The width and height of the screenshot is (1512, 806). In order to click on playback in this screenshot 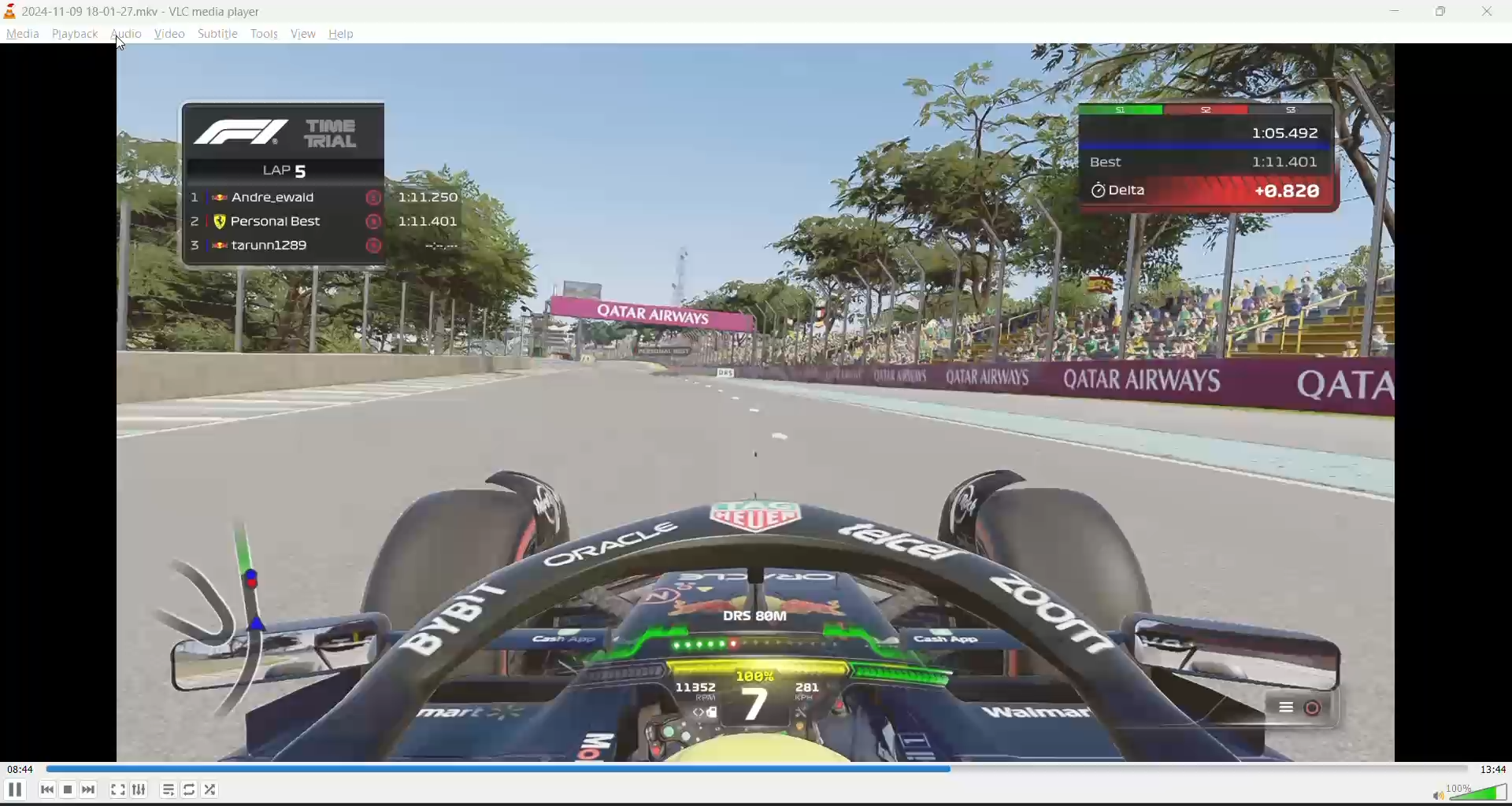, I will do `click(75, 35)`.